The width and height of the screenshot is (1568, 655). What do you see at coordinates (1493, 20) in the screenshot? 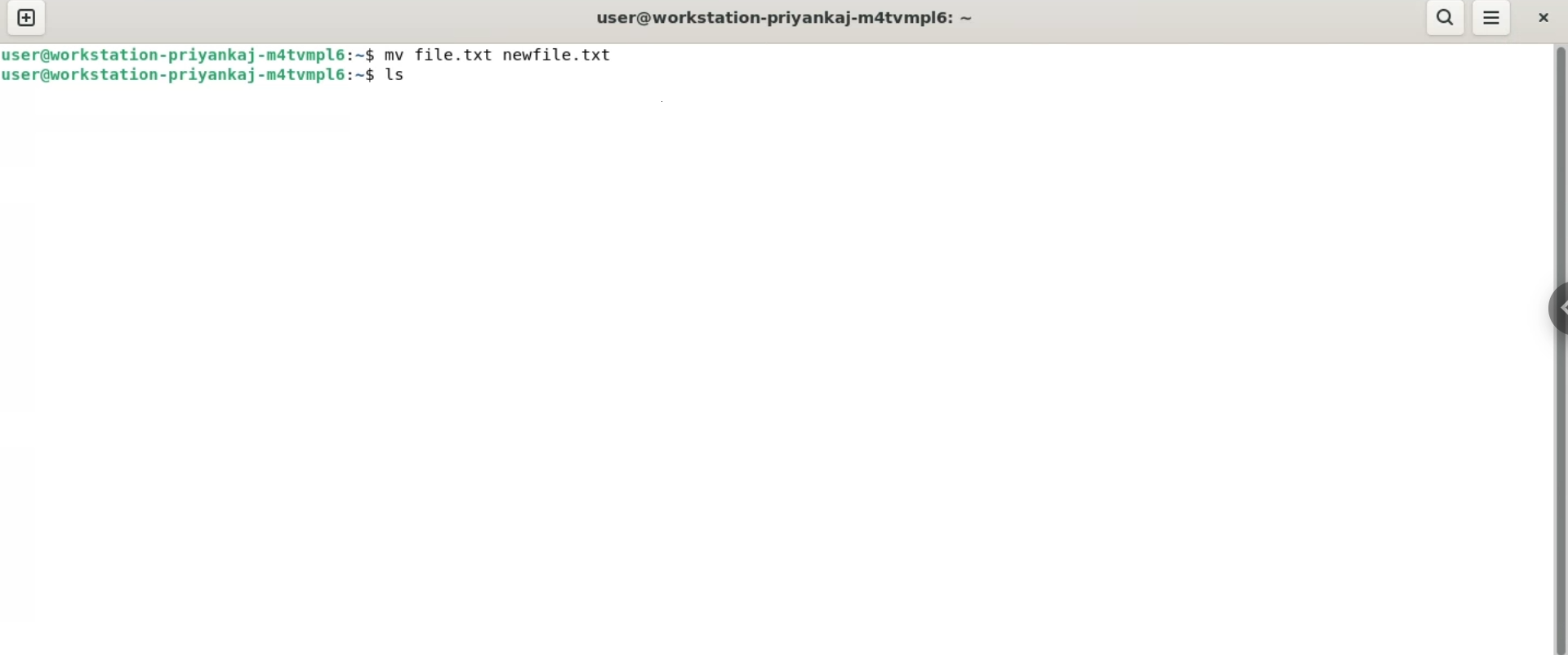
I see `menu` at bounding box center [1493, 20].